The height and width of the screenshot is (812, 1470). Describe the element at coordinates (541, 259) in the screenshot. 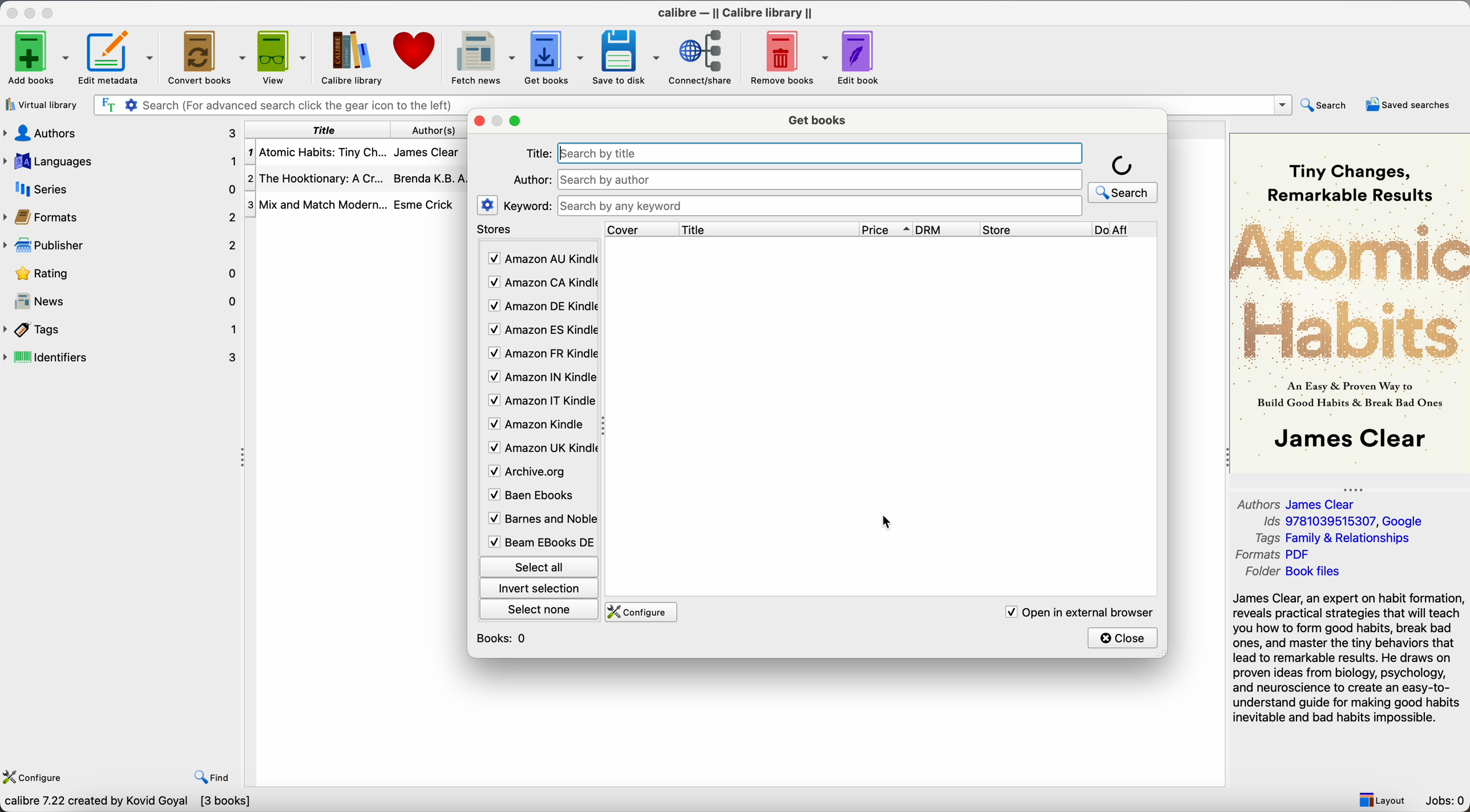

I see `Amazon AU Kindle` at that location.